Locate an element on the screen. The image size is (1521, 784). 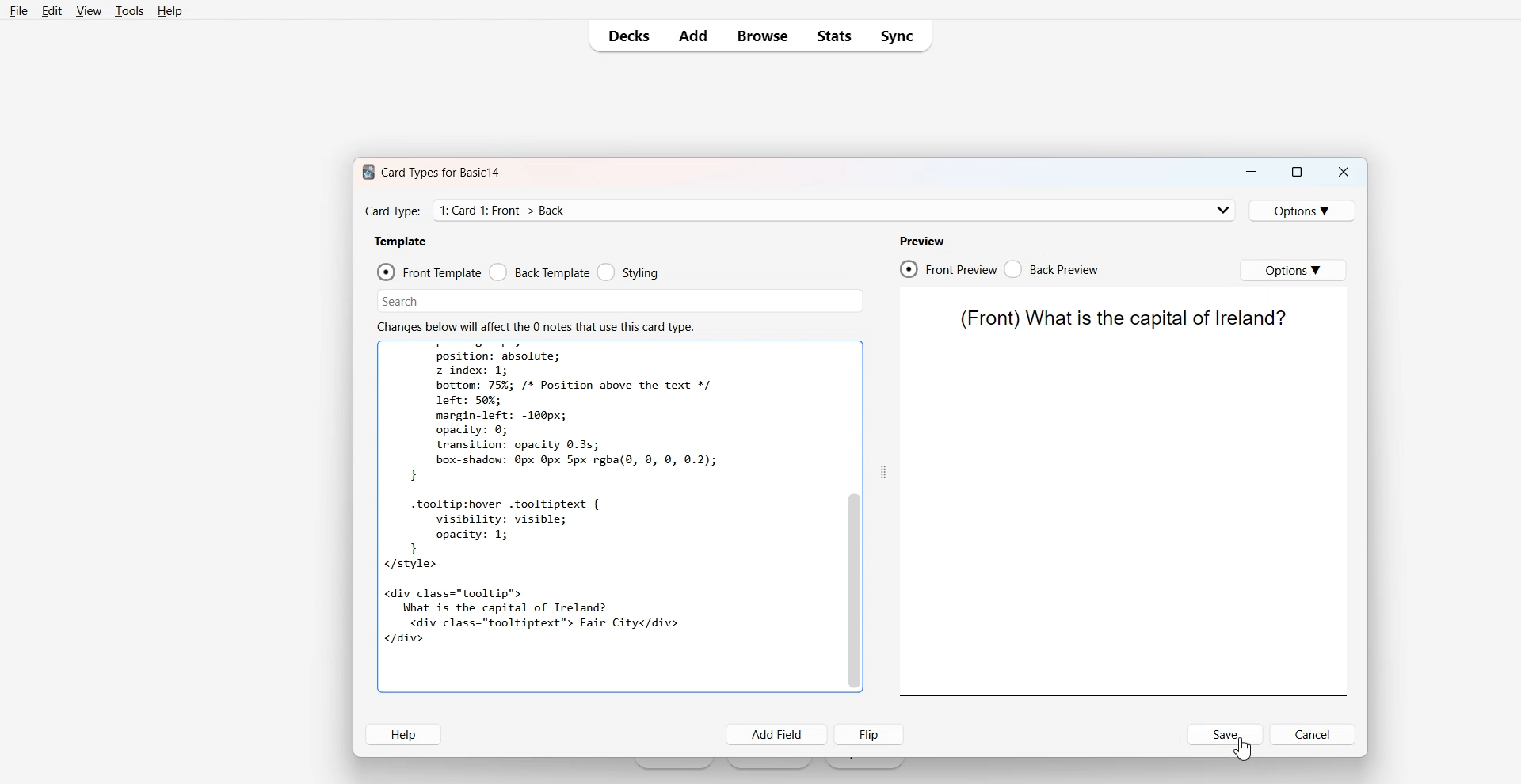
Styling is located at coordinates (629, 271).